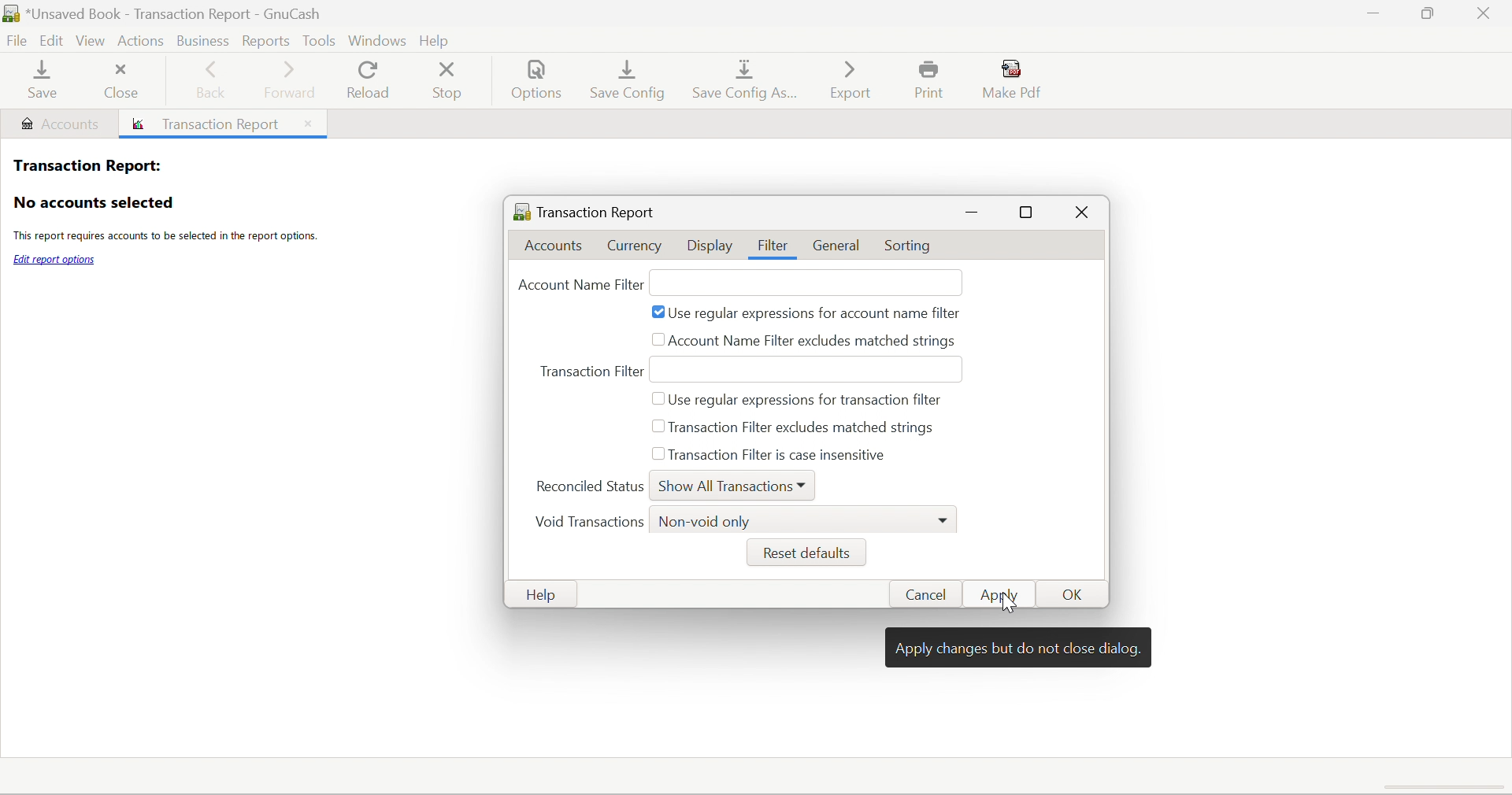 The width and height of the screenshot is (1512, 795). What do you see at coordinates (213, 82) in the screenshot?
I see `Back` at bounding box center [213, 82].